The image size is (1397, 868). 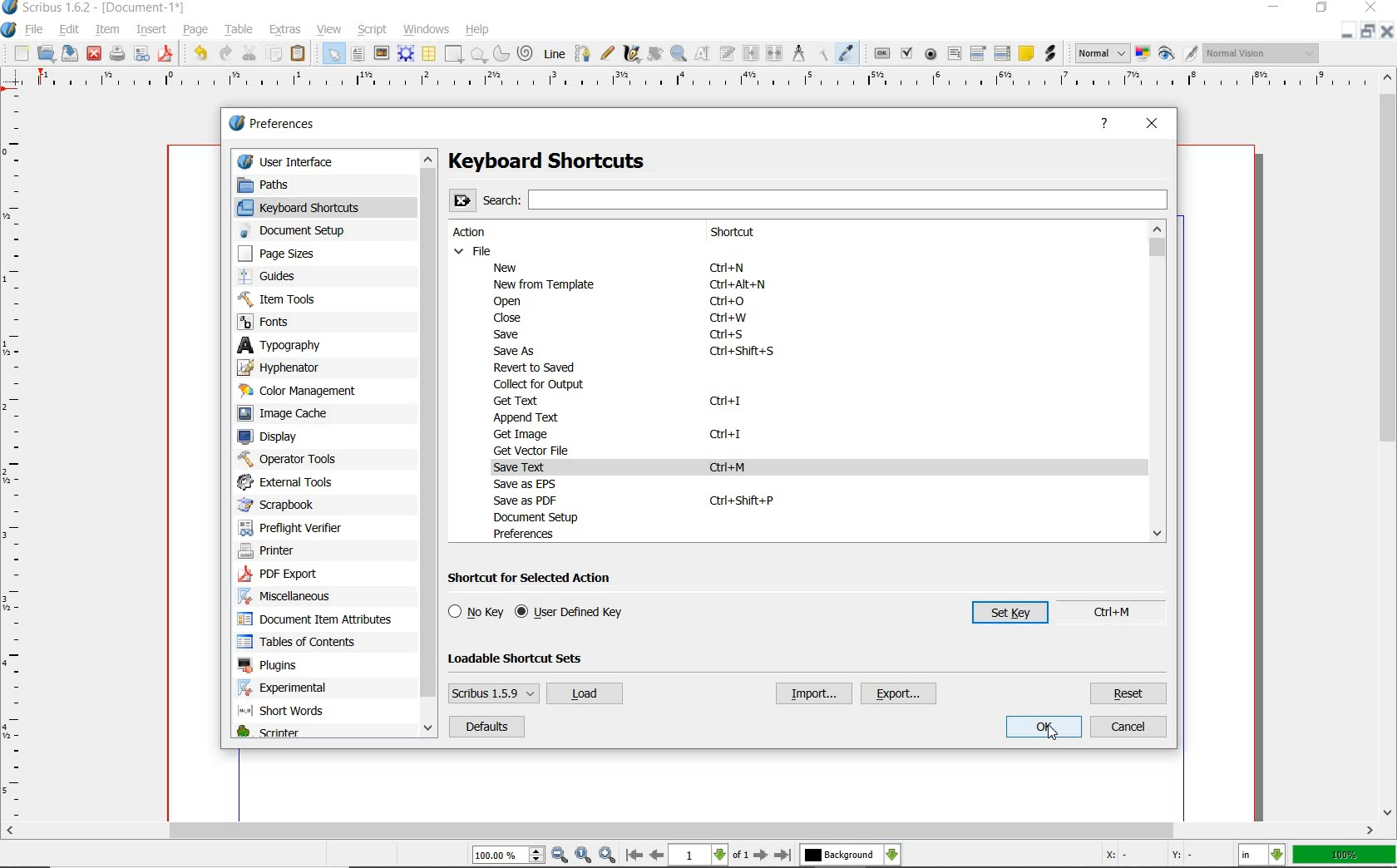 What do you see at coordinates (1123, 613) in the screenshot?
I see `ctrl + M` at bounding box center [1123, 613].